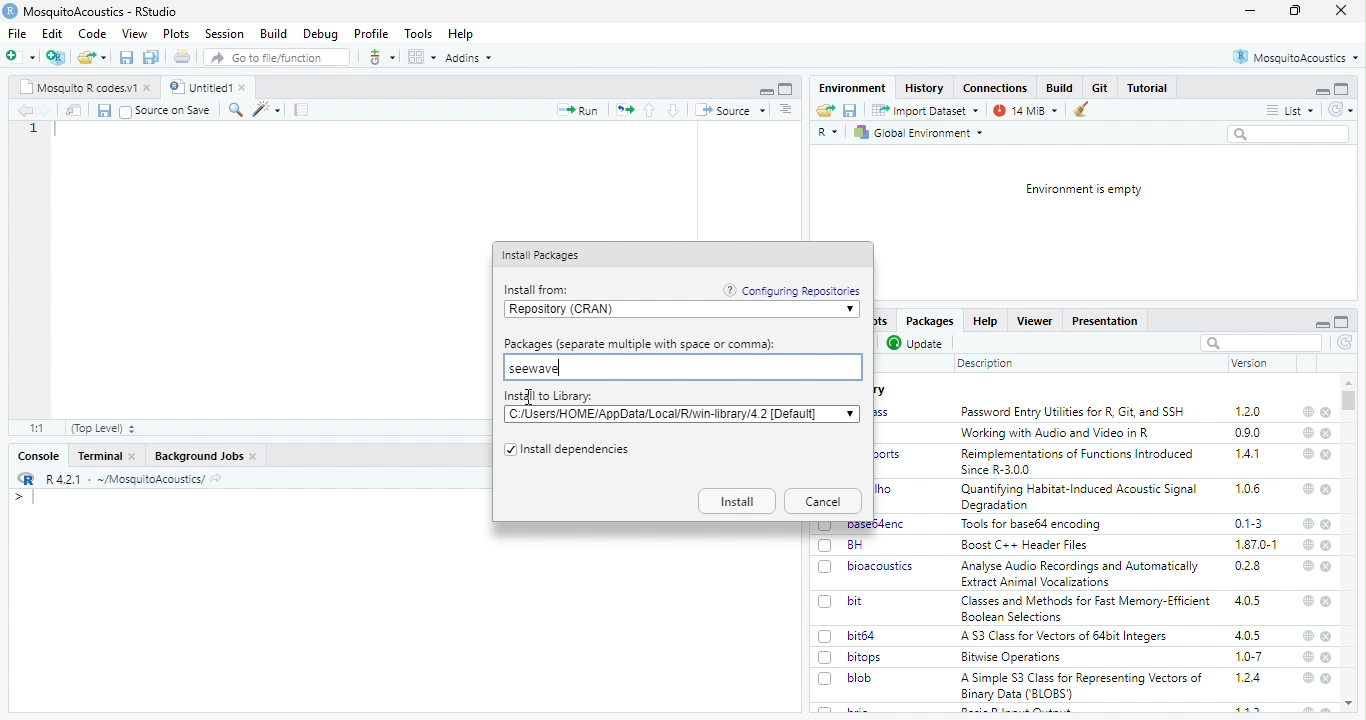  I want to click on checkbox, so click(825, 679).